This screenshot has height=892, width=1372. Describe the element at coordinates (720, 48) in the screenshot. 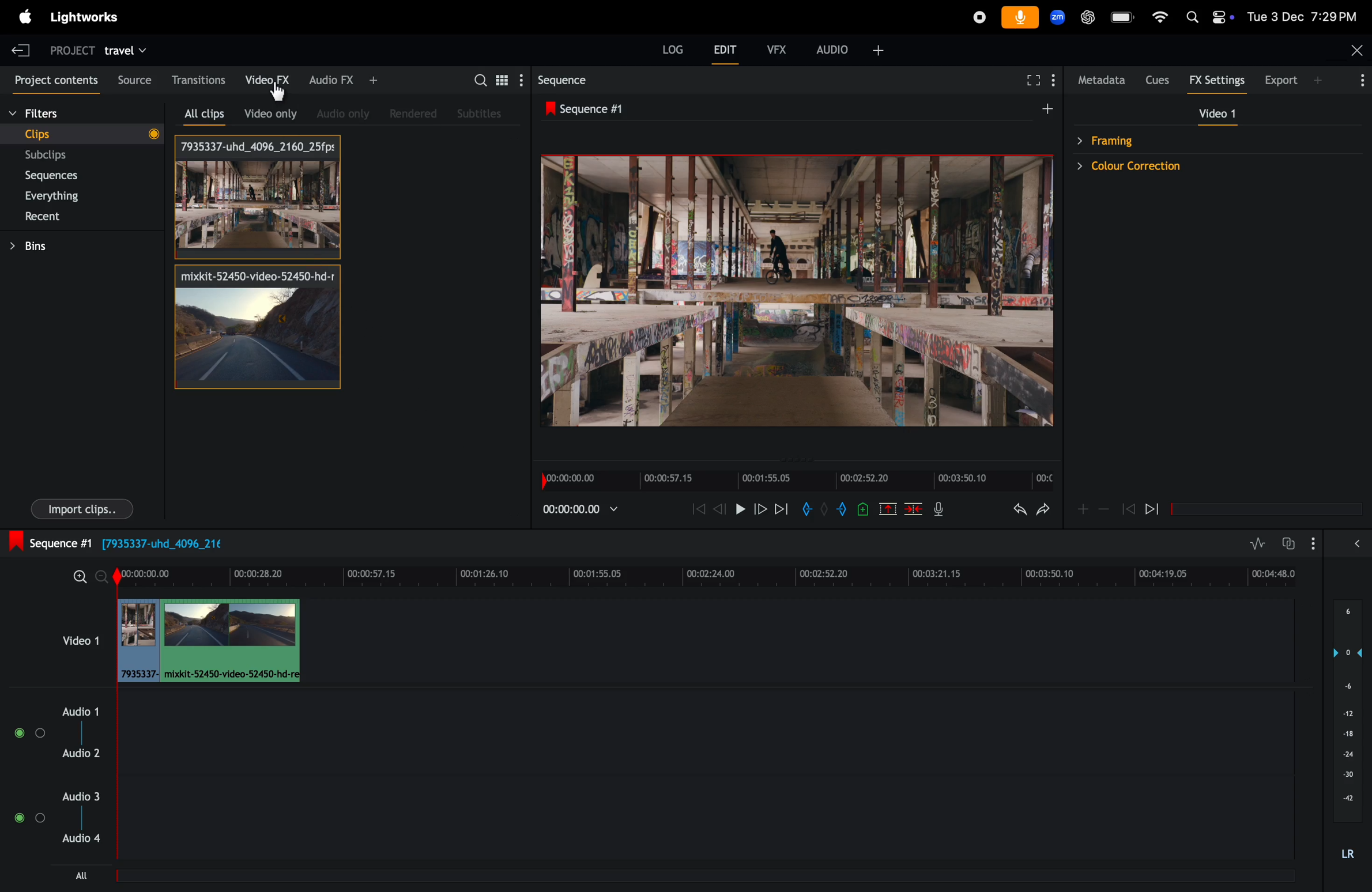

I see `Edit` at that location.